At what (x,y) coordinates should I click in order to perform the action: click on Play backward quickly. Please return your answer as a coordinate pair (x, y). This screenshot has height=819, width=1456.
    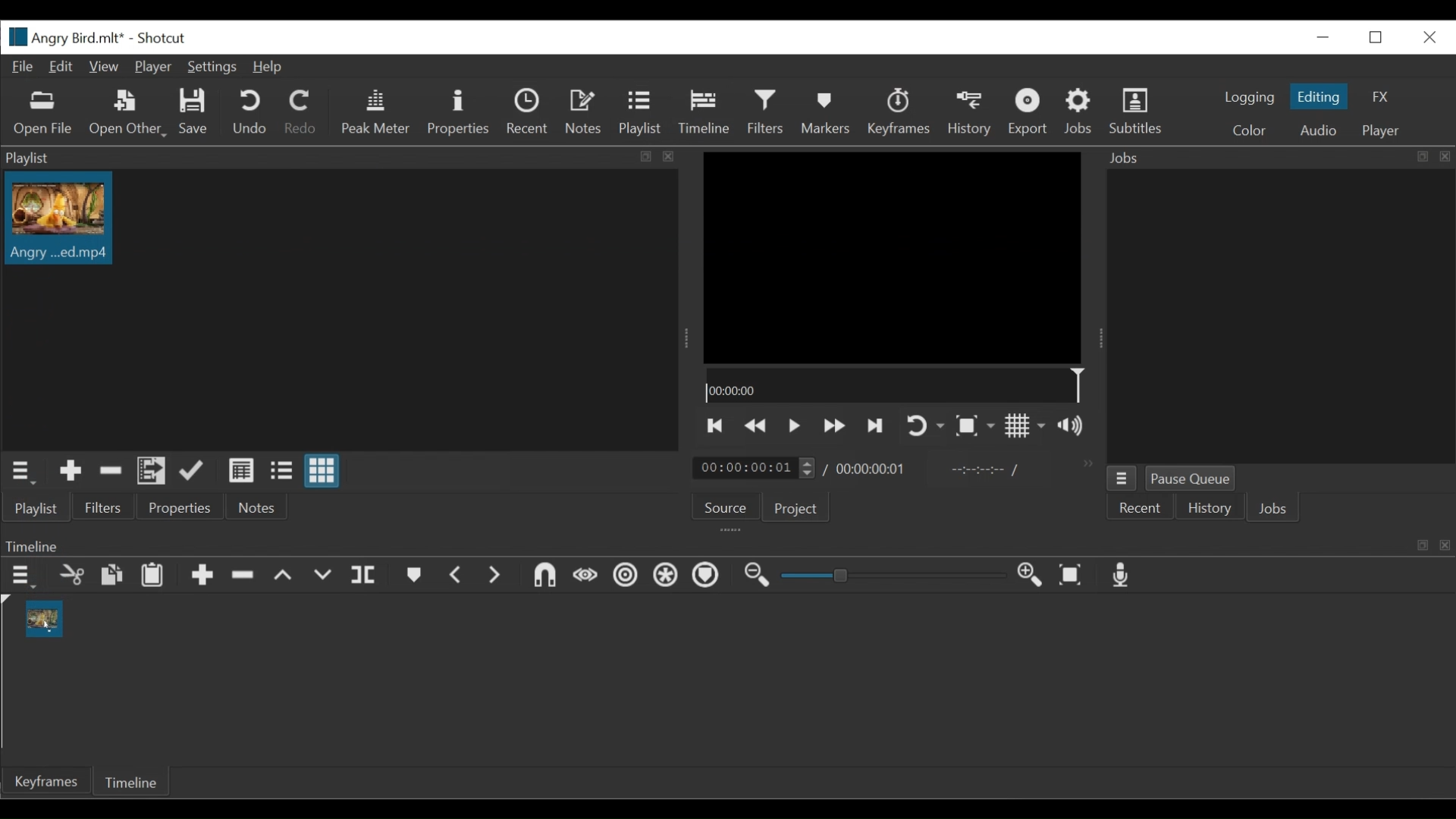
    Looking at the image, I should click on (834, 426).